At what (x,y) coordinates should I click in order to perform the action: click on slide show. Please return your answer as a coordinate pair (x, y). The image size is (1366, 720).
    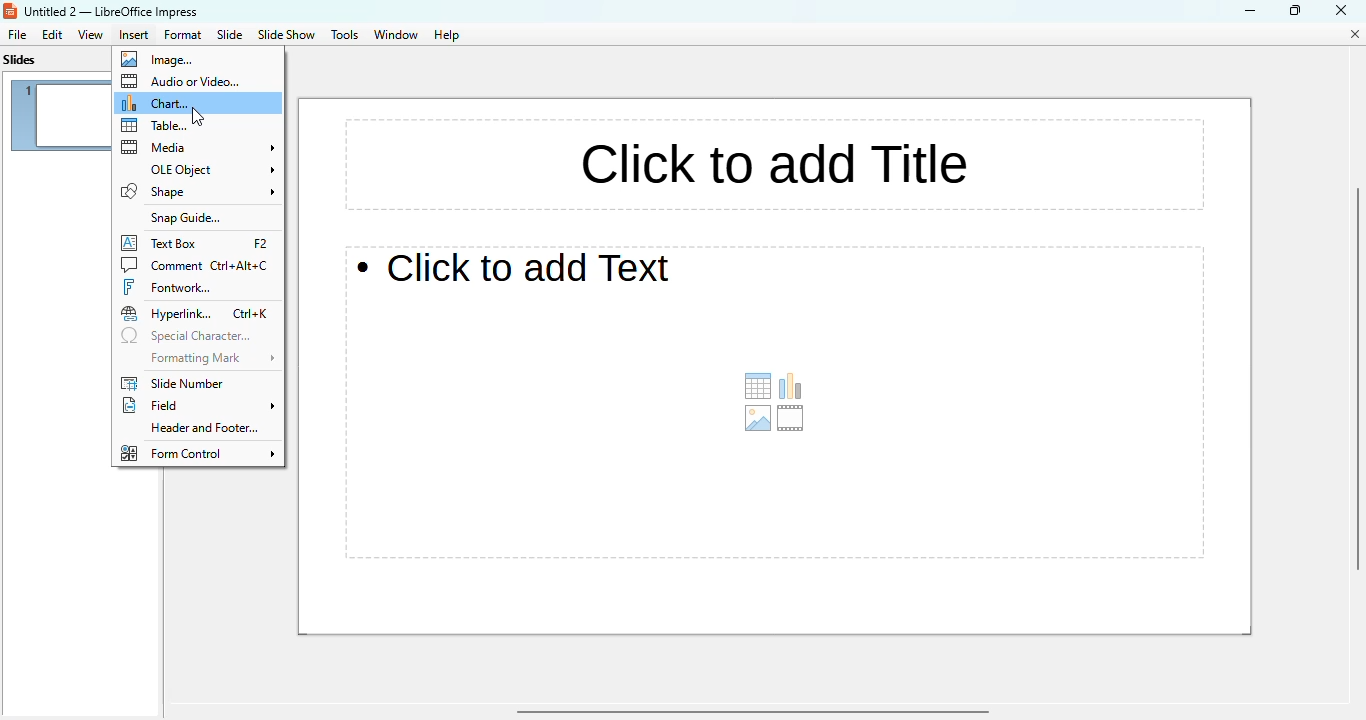
    Looking at the image, I should click on (286, 35).